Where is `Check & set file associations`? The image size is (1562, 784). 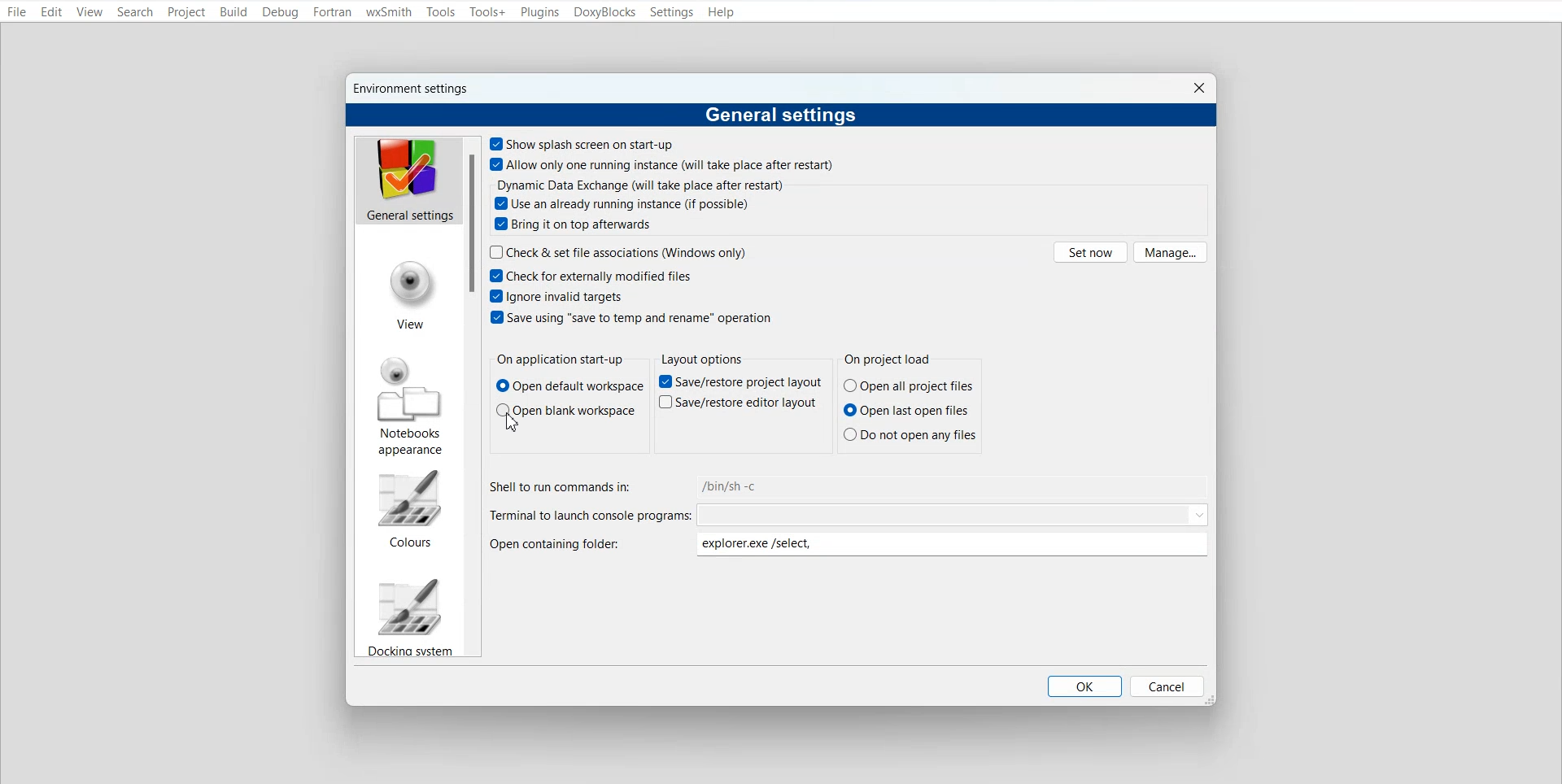 Check & set file associations is located at coordinates (619, 251).